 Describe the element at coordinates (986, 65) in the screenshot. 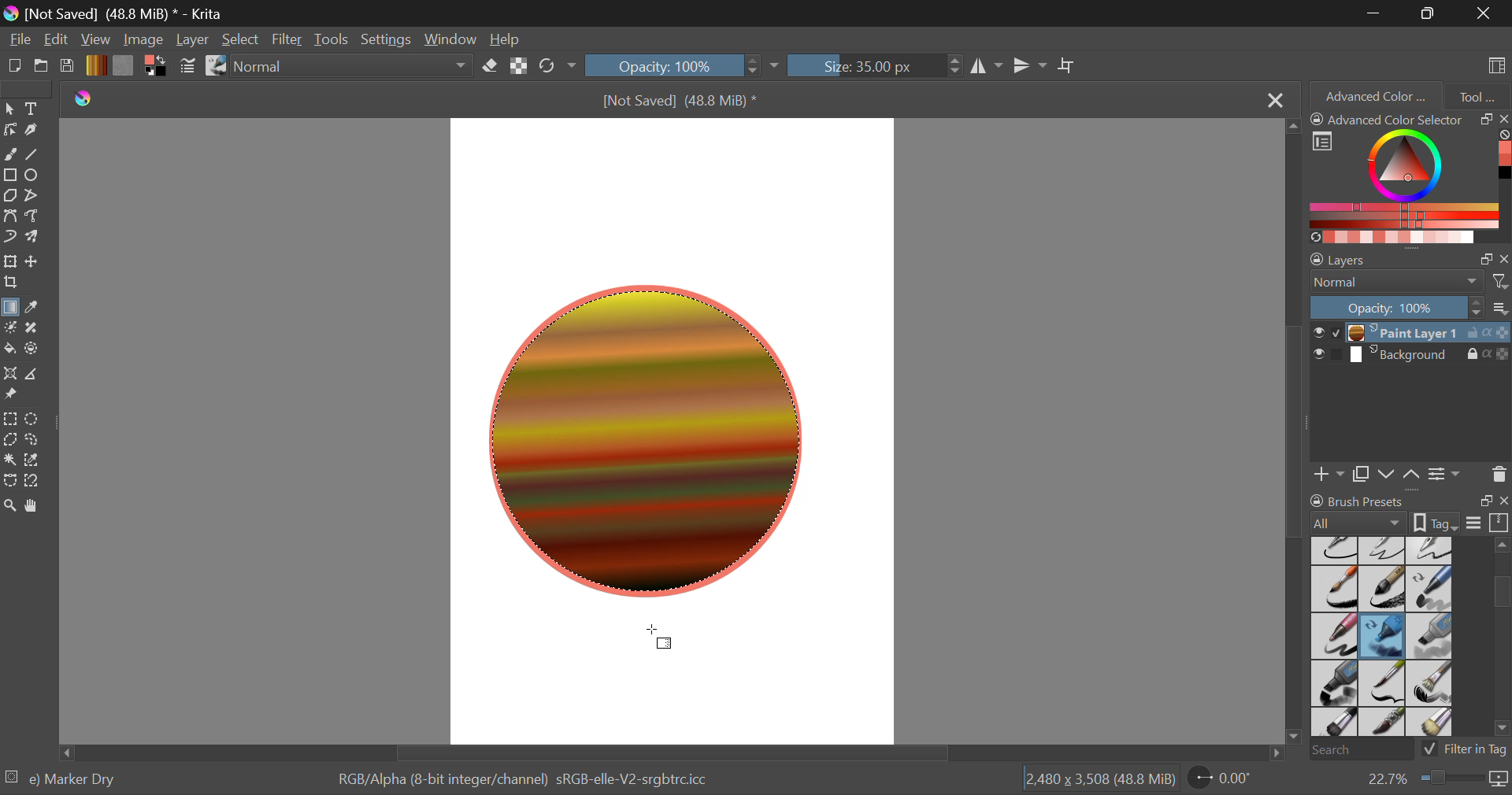

I see `Horizontal Mirror Tool` at that location.